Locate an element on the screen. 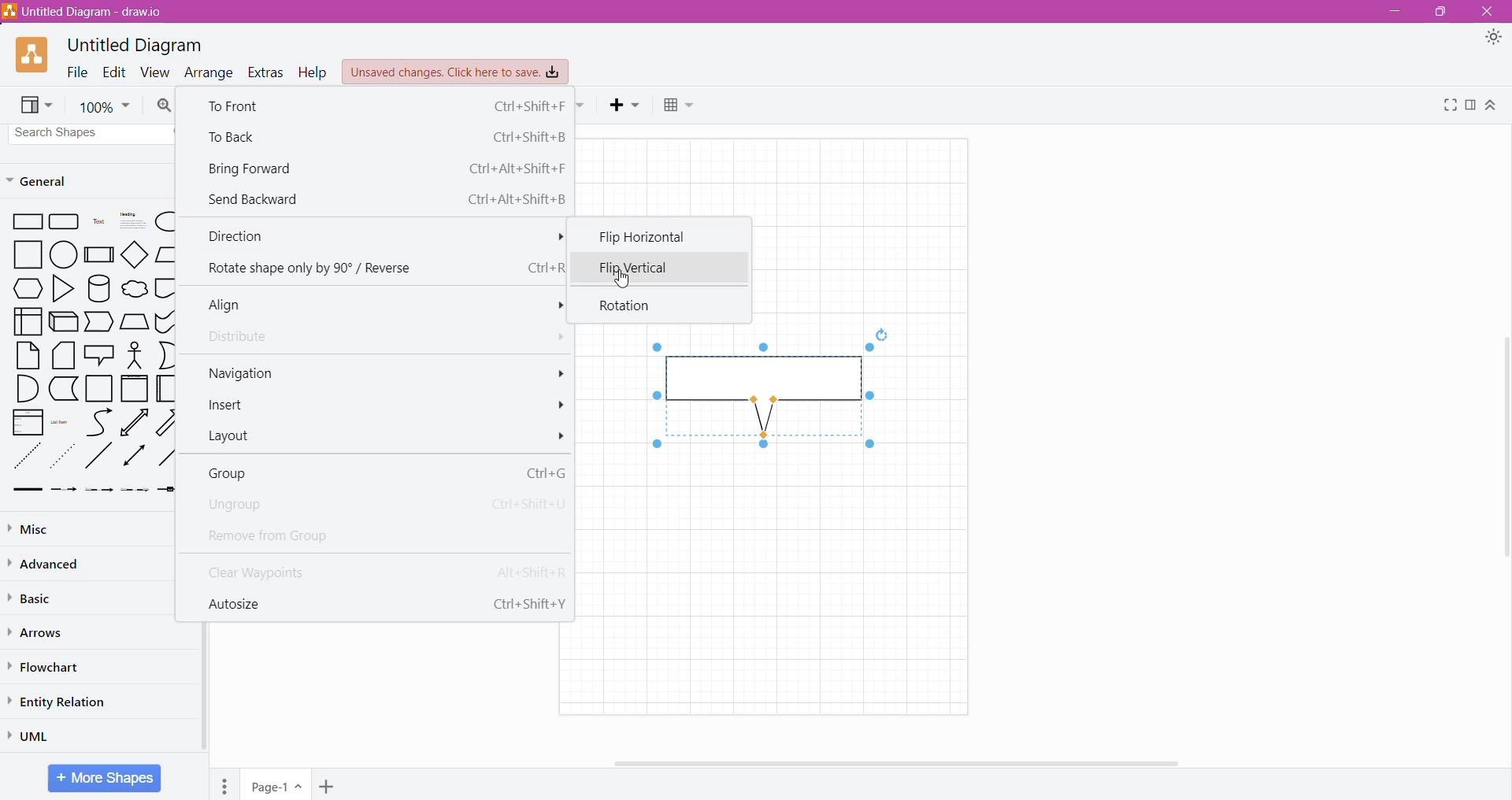 The height and width of the screenshot is (800, 1512). Arrange is located at coordinates (209, 72).